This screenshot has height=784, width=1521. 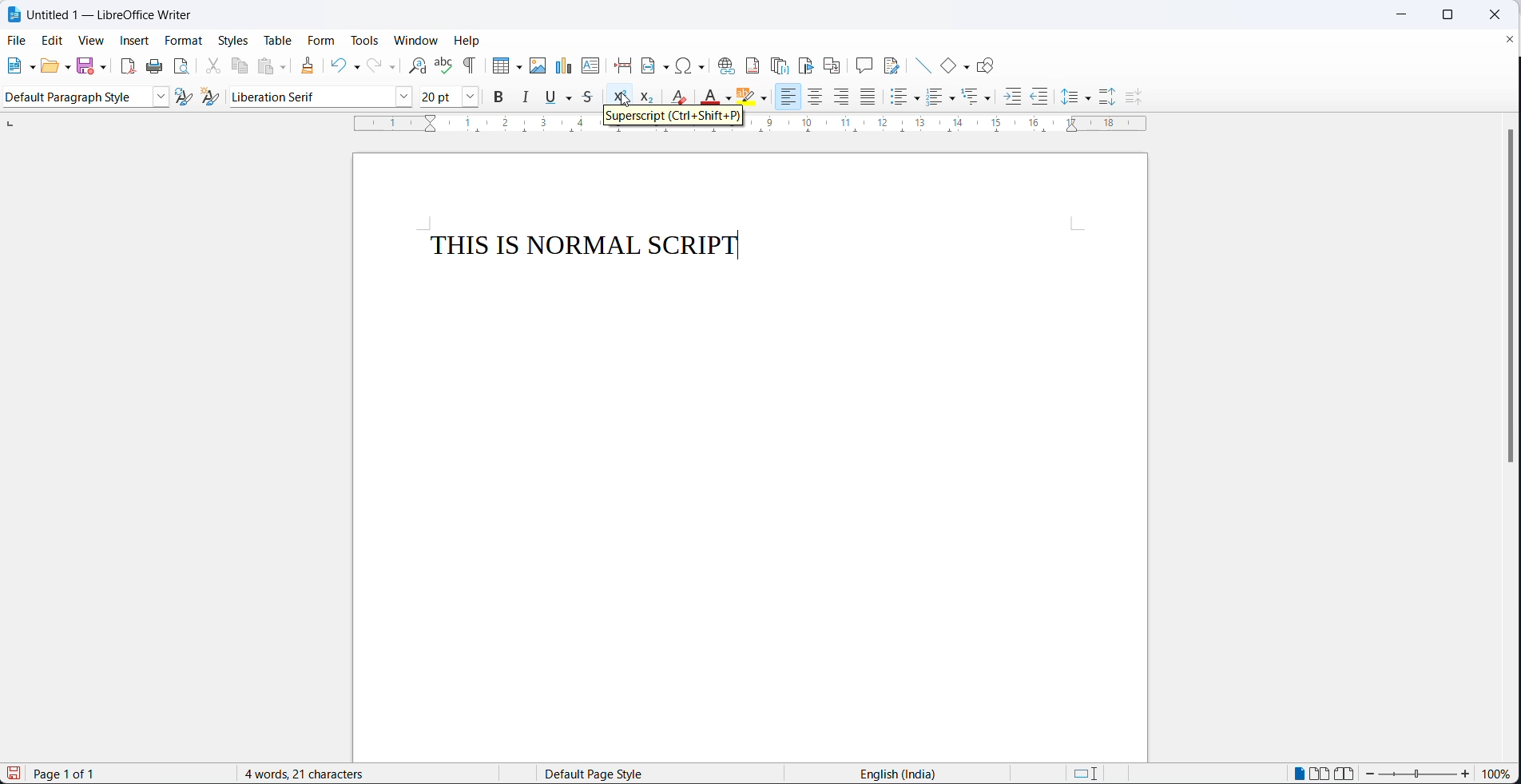 I want to click on find and replace, so click(x=414, y=65).